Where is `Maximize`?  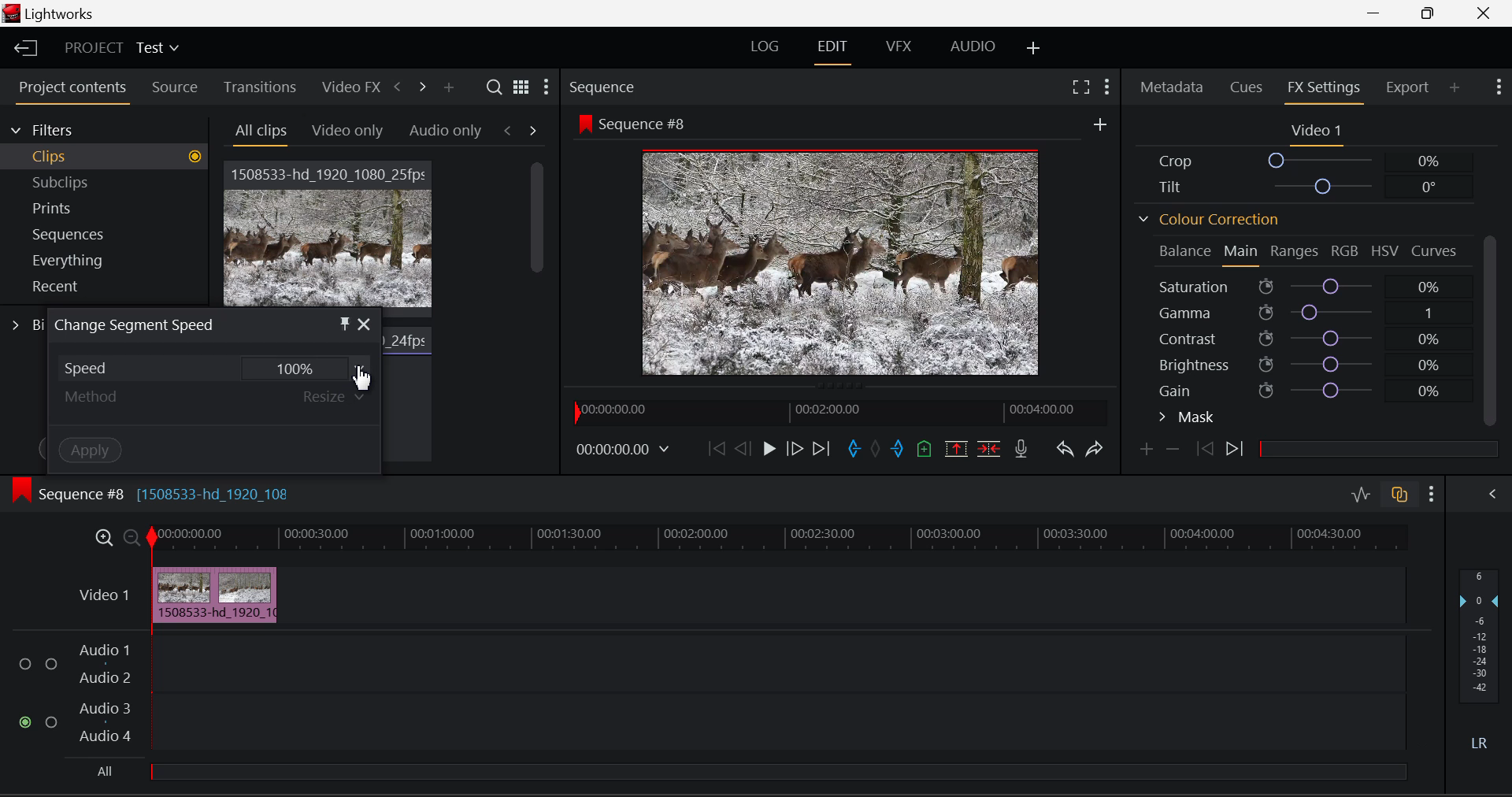
Maximize is located at coordinates (104, 539).